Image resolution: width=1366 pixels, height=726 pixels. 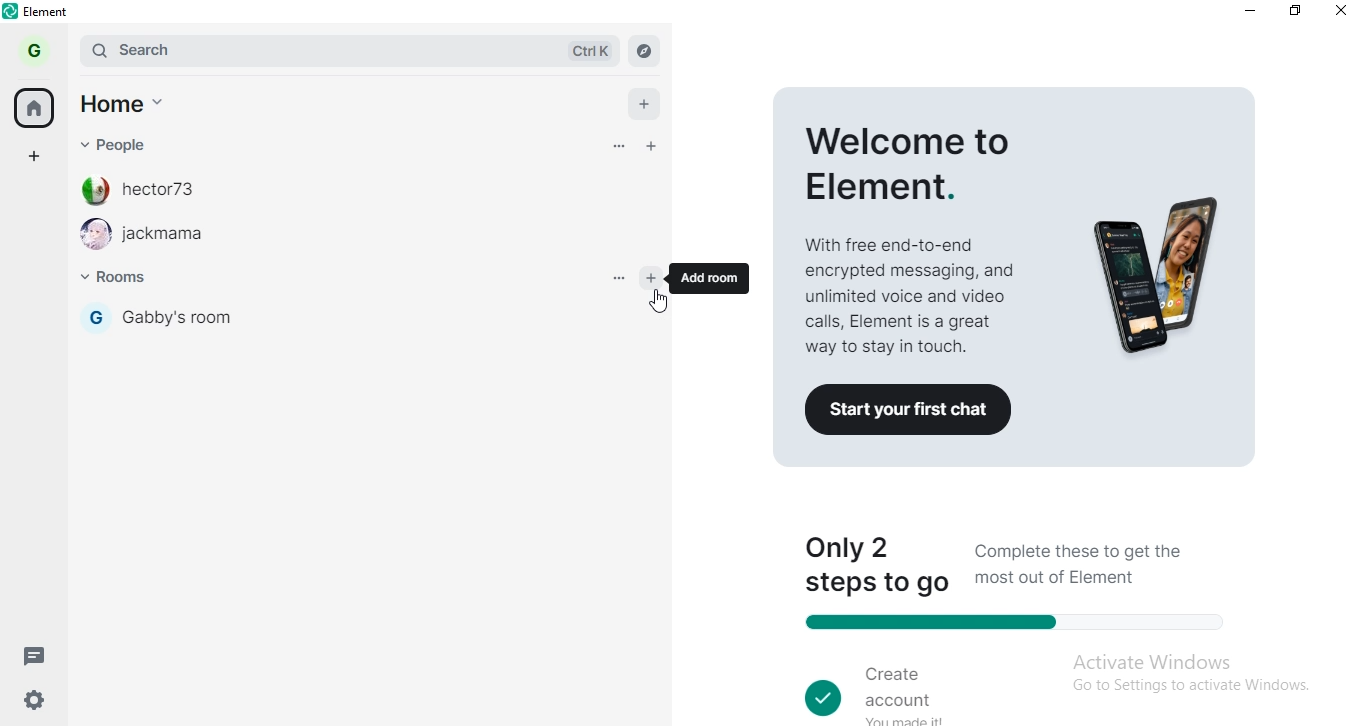 What do you see at coordinates (185, 321) in the screenshot?
I see `gabby's room` at bounding box center [185, 321].